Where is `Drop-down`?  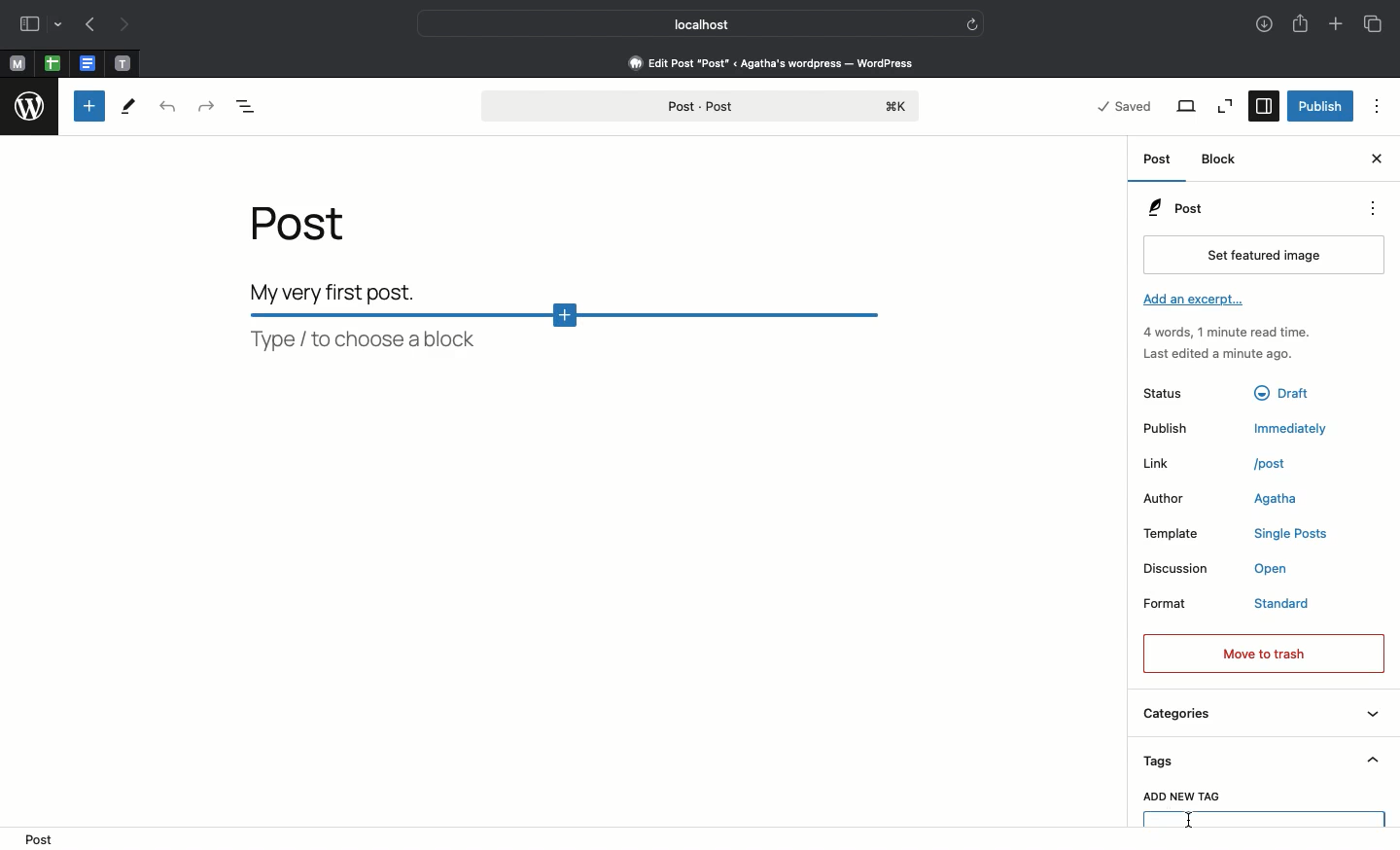
Drop-down is located at coordinates (57, 25).